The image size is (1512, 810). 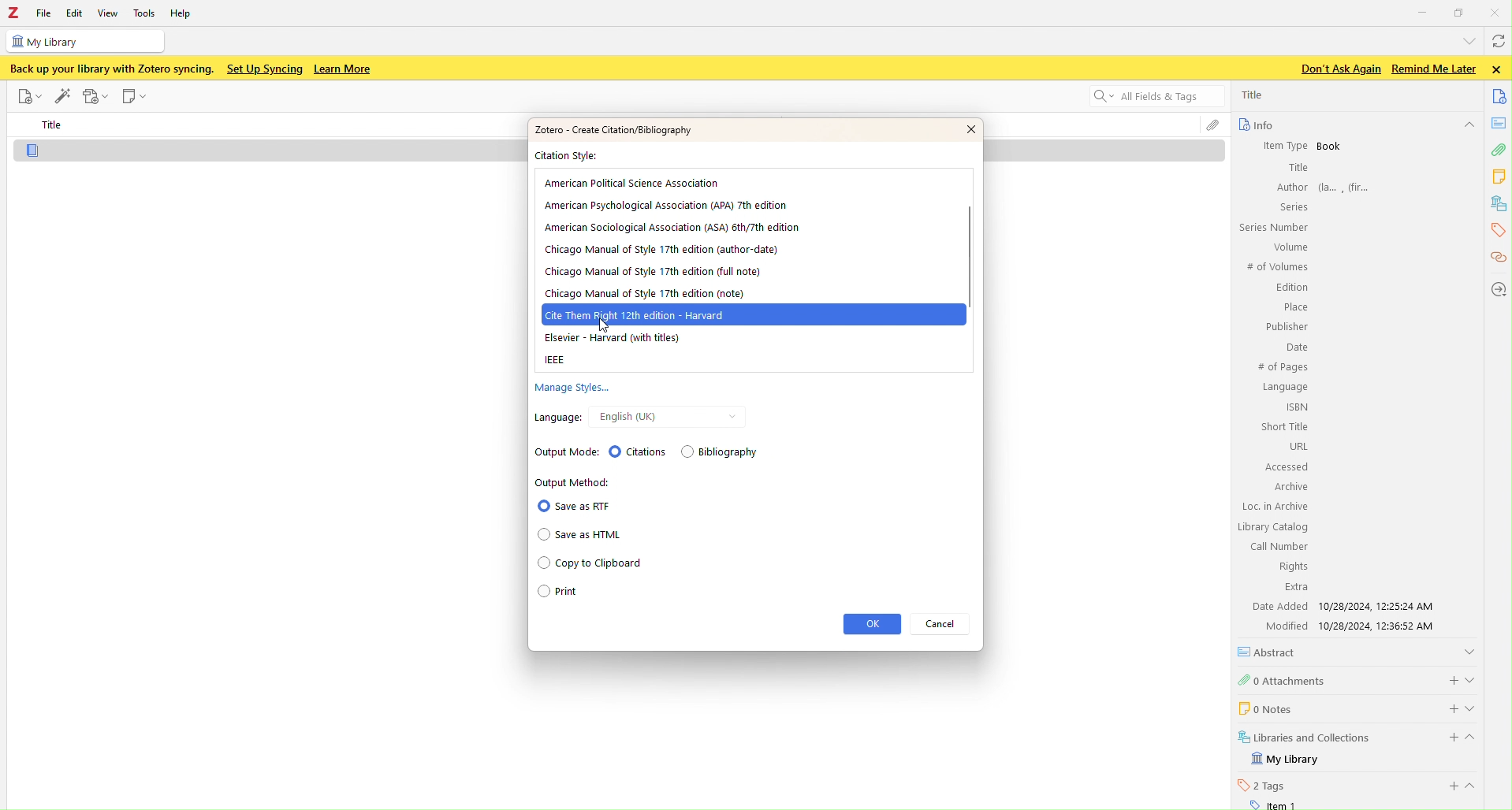 What do you see at coordinates (1498, 152) in the screenshot?
I see `attachment` at bounding box center [1498, 152].